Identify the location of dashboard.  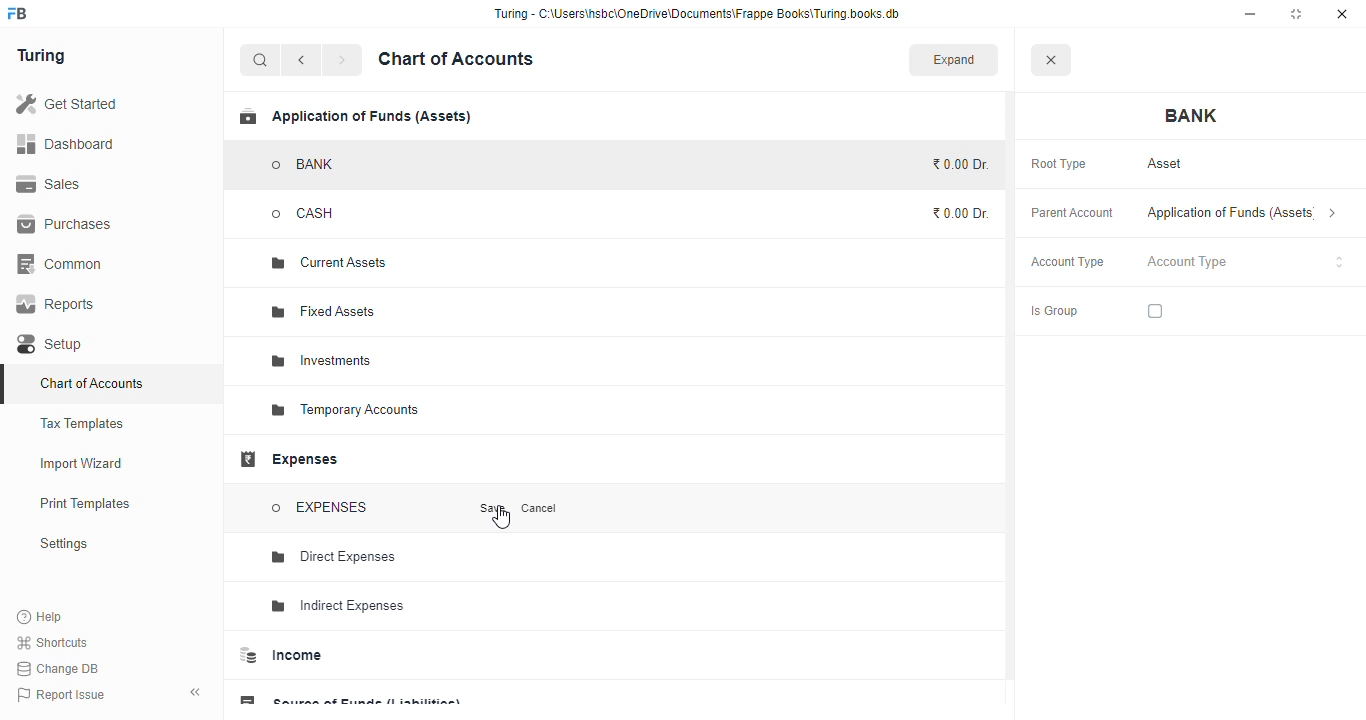
(65, 143).